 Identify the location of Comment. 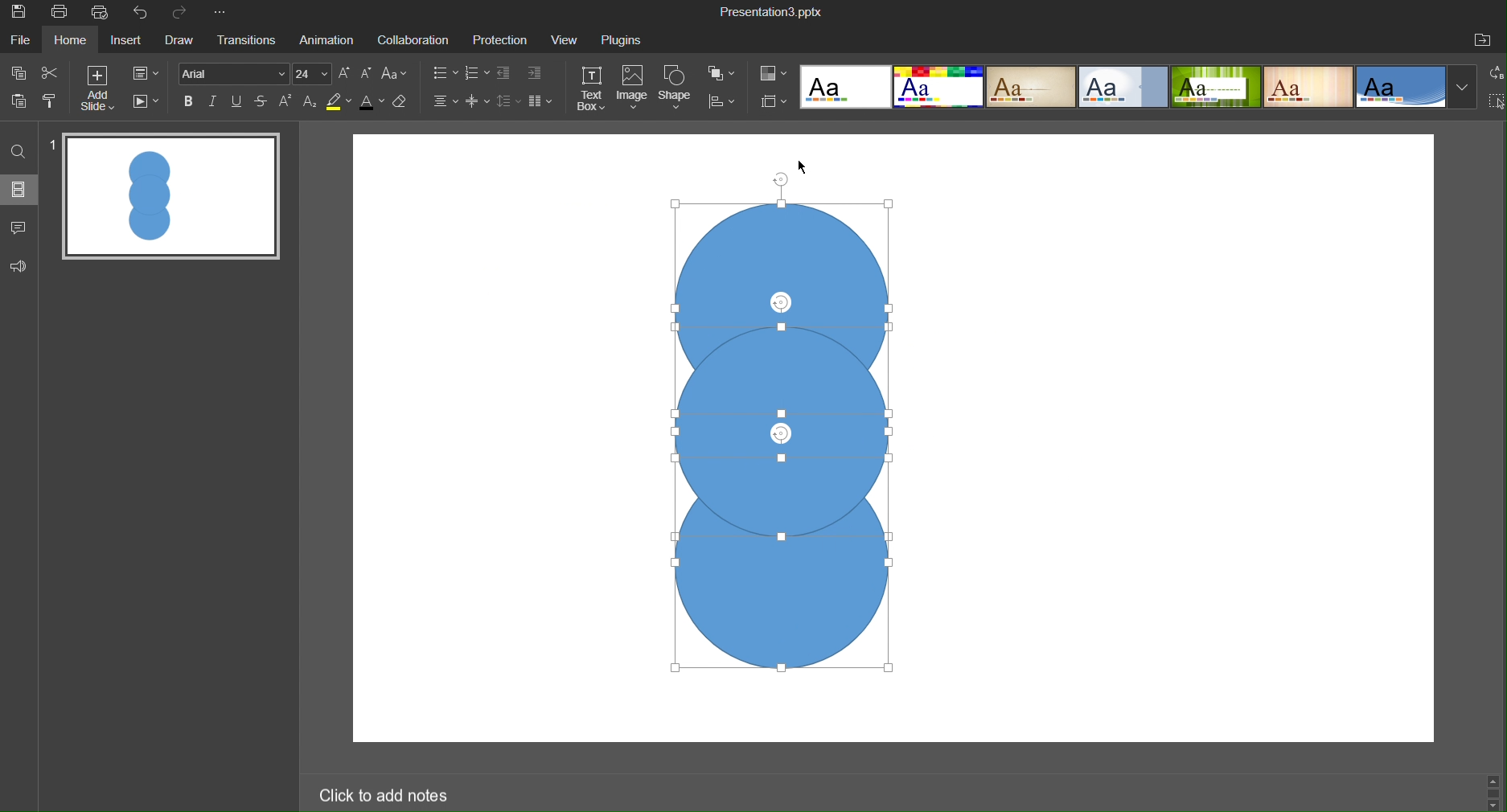
(18, 228).